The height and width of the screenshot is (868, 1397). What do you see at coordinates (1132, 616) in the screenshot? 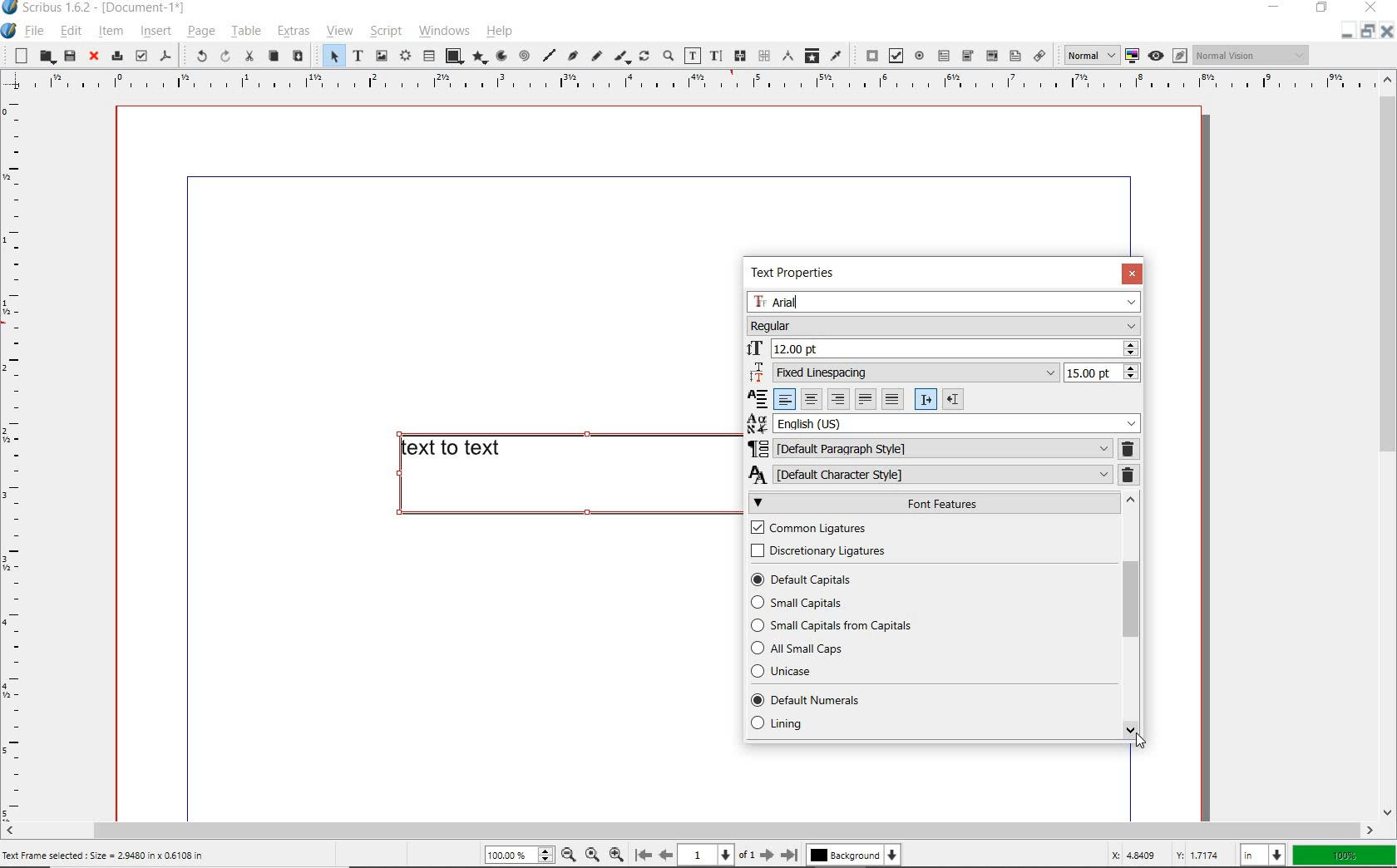
I see `SCROLLBAR` at bounding box center [1132, 616].